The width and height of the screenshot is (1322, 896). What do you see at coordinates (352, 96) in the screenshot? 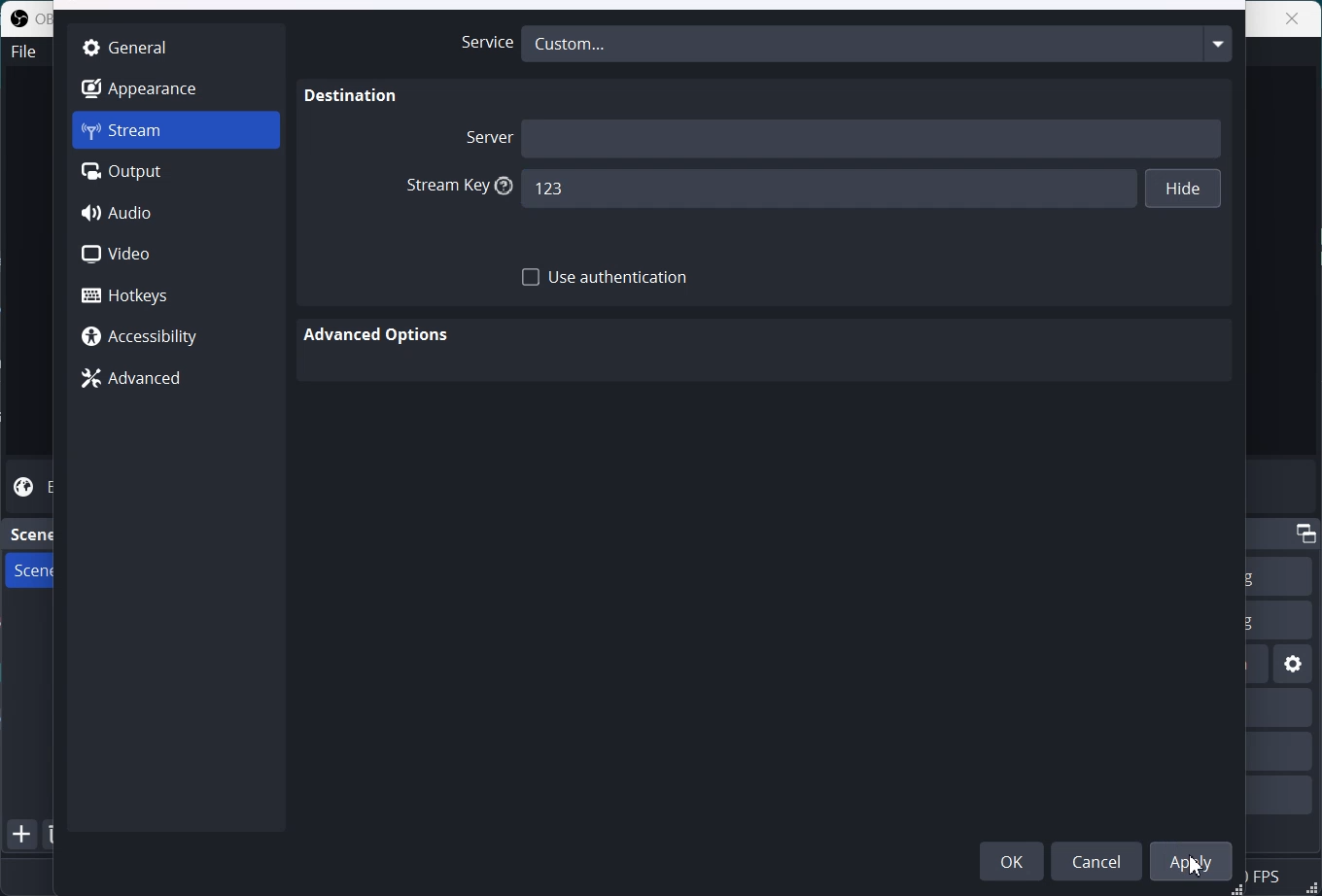
I see `Destination` at bounding box center [352, 96].